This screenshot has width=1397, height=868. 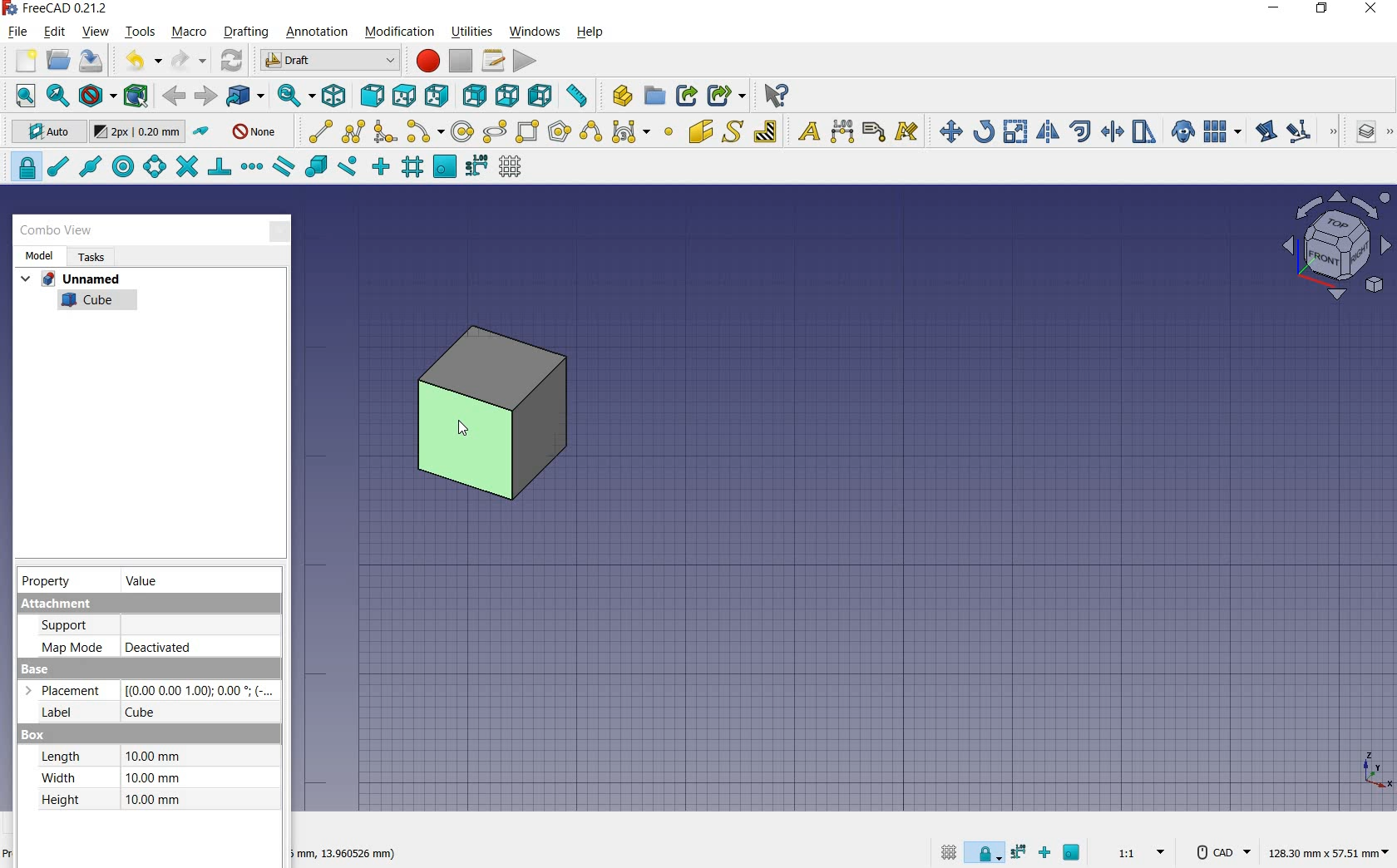 What do you see at coordinates (509, 169) in the screenshot?
I see `toggle grid` at bounding box center [509, 169].